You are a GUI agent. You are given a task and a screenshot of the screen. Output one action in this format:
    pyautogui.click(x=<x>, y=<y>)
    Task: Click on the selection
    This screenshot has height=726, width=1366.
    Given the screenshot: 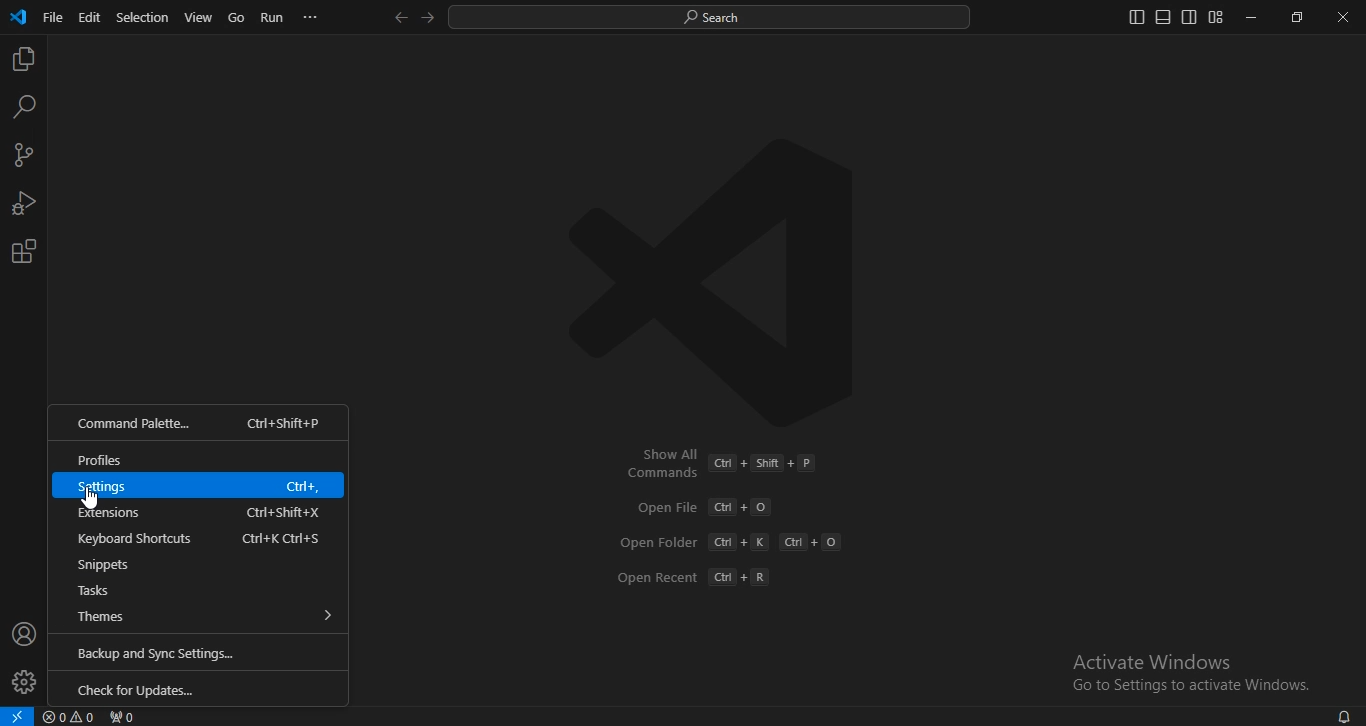 What is the action you would take?
    pyautogui.click(x=143, y=16)
    